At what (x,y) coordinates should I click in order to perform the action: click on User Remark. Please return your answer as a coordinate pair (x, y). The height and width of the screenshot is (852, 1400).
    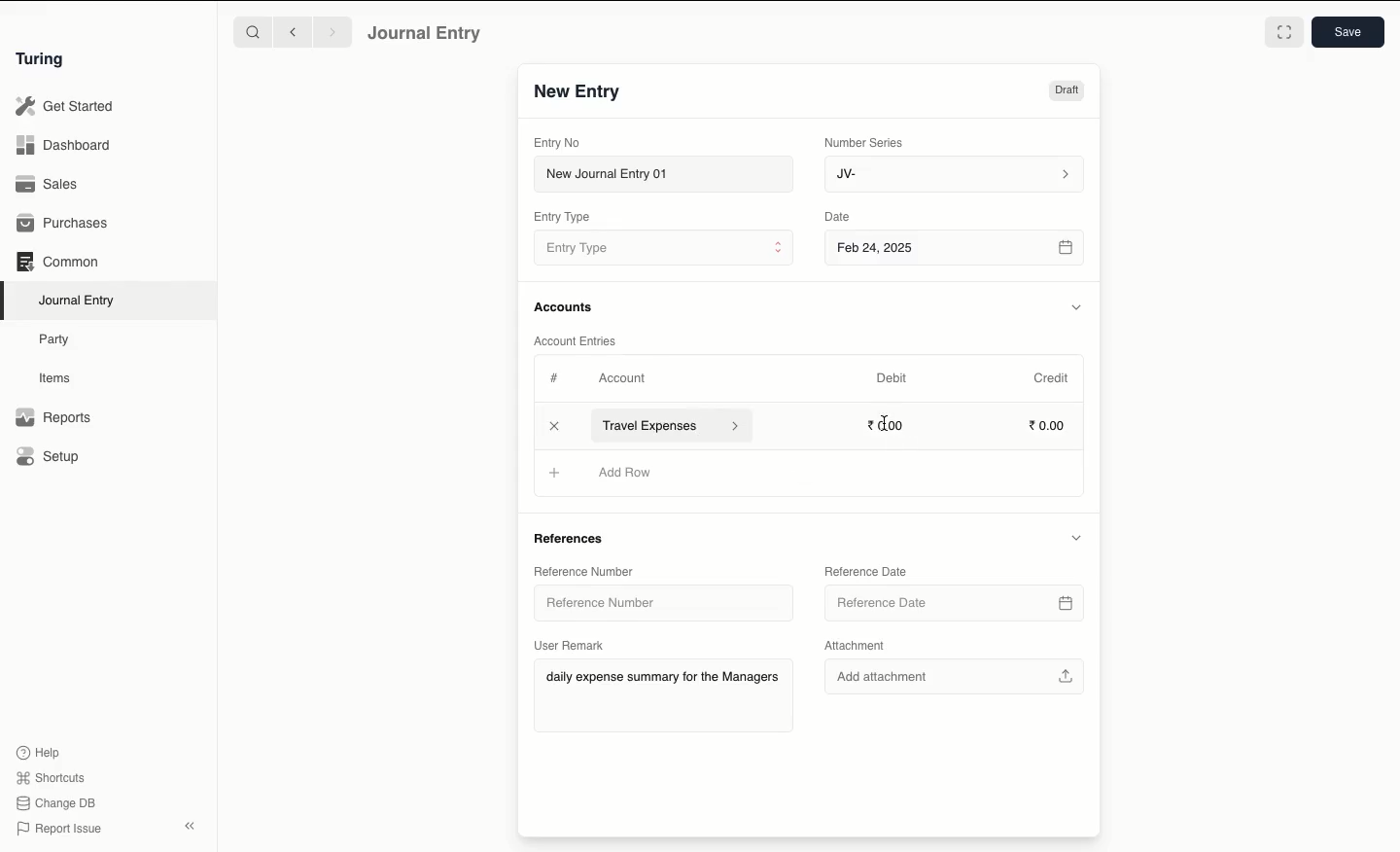
    Looking at the image, I should click on (572, 645).